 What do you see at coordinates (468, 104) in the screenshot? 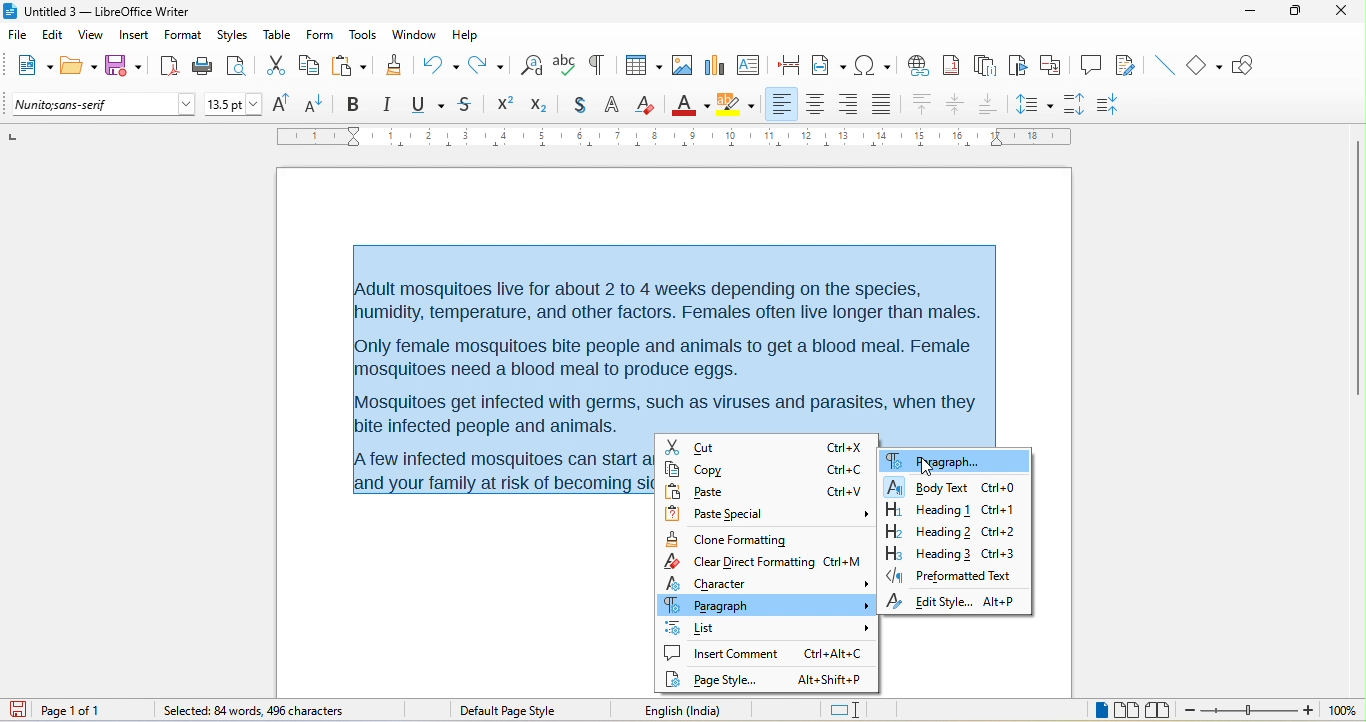
I see `strikethrough` at bounding box center [468, 104].